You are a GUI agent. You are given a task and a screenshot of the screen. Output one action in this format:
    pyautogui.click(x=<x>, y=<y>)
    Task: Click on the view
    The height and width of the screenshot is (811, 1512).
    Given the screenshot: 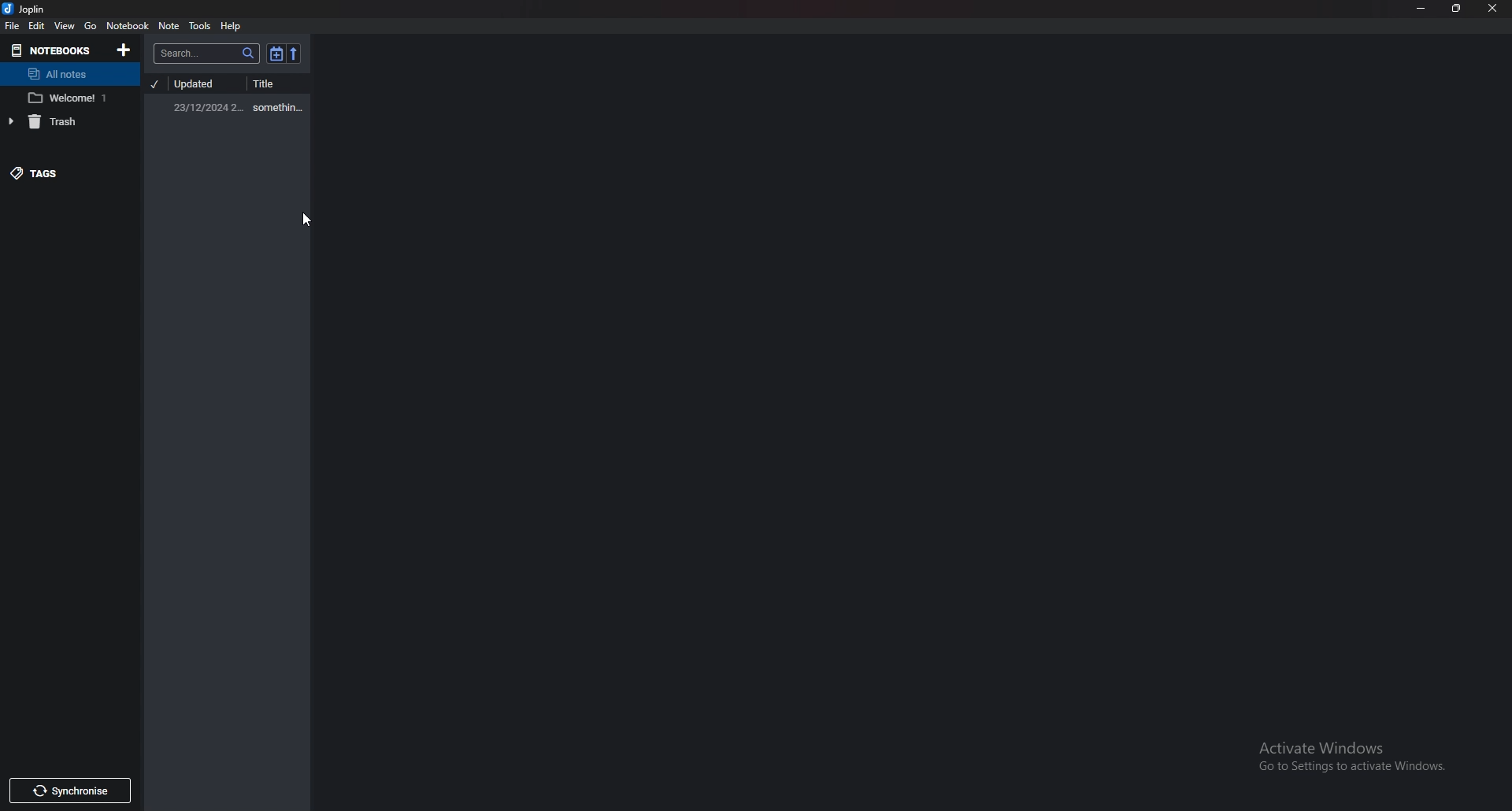 What is the action you would take?
    pyautogui.click(x=65, y=27)
    